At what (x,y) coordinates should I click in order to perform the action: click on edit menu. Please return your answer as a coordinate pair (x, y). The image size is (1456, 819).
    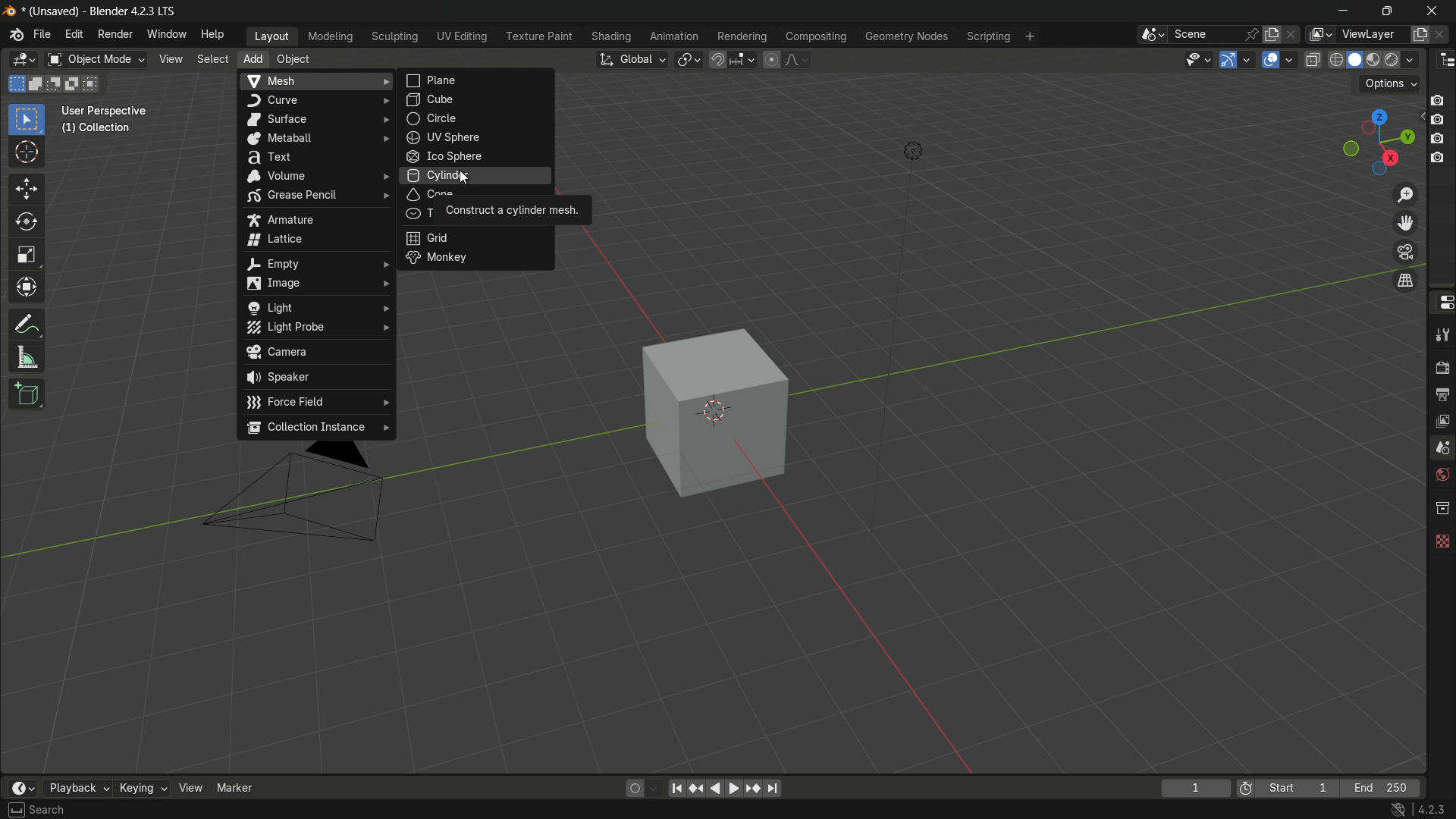
    Looking at the image, I should click on (74, 35).